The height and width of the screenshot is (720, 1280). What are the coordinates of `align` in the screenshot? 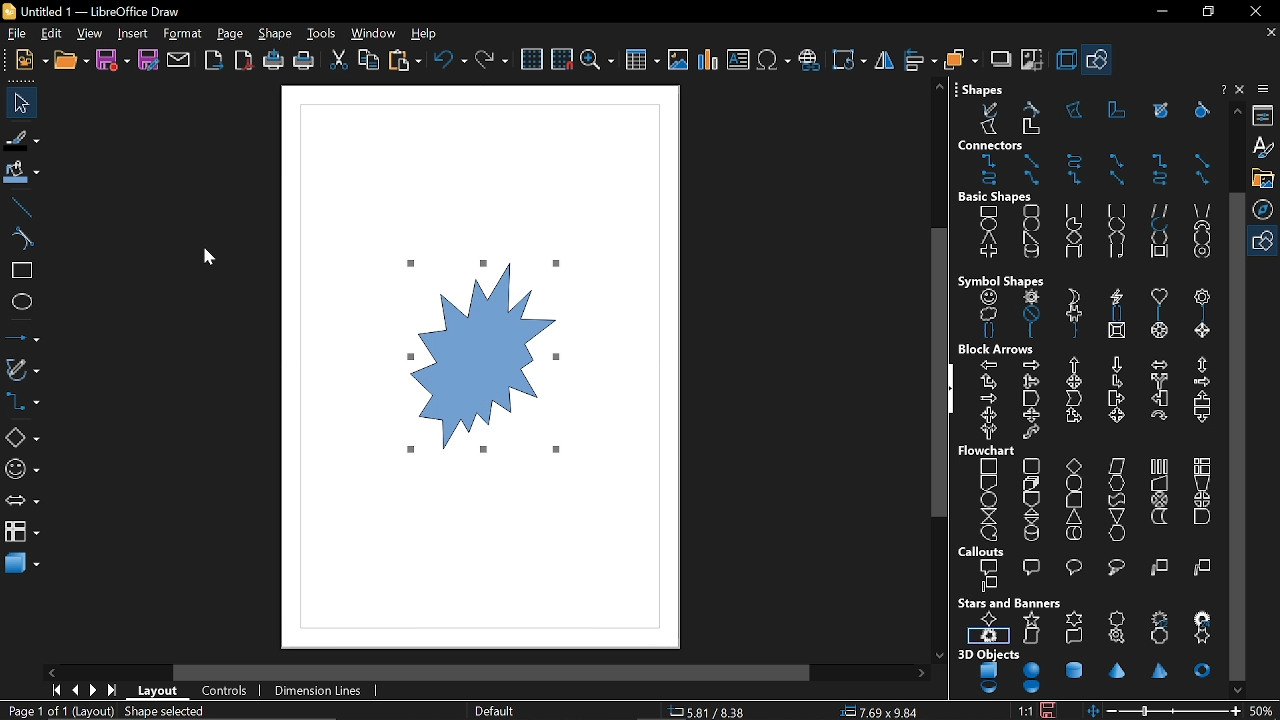 It's located at (918, 60).